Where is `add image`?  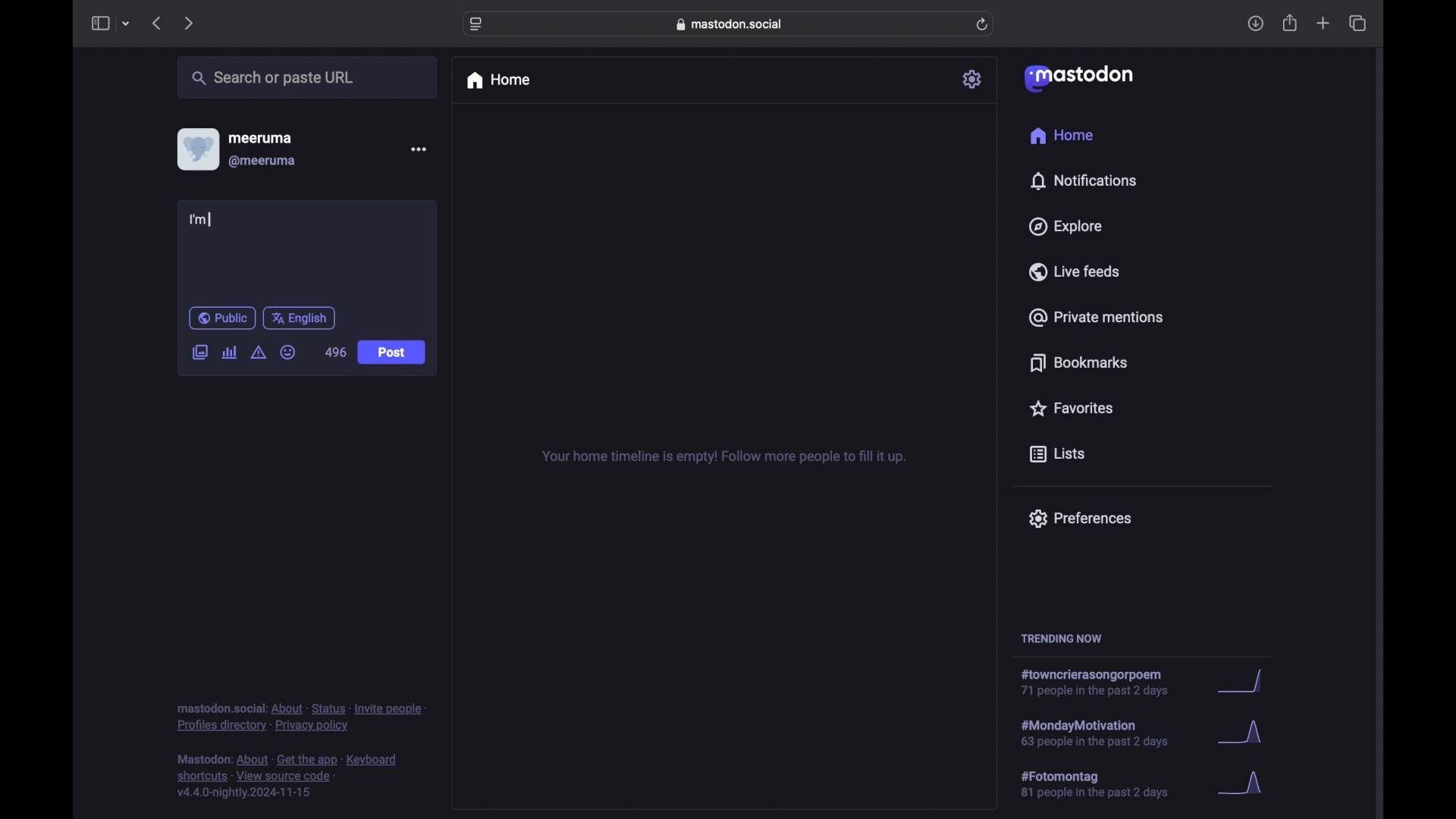
add image is located at coordinates (199, 353).